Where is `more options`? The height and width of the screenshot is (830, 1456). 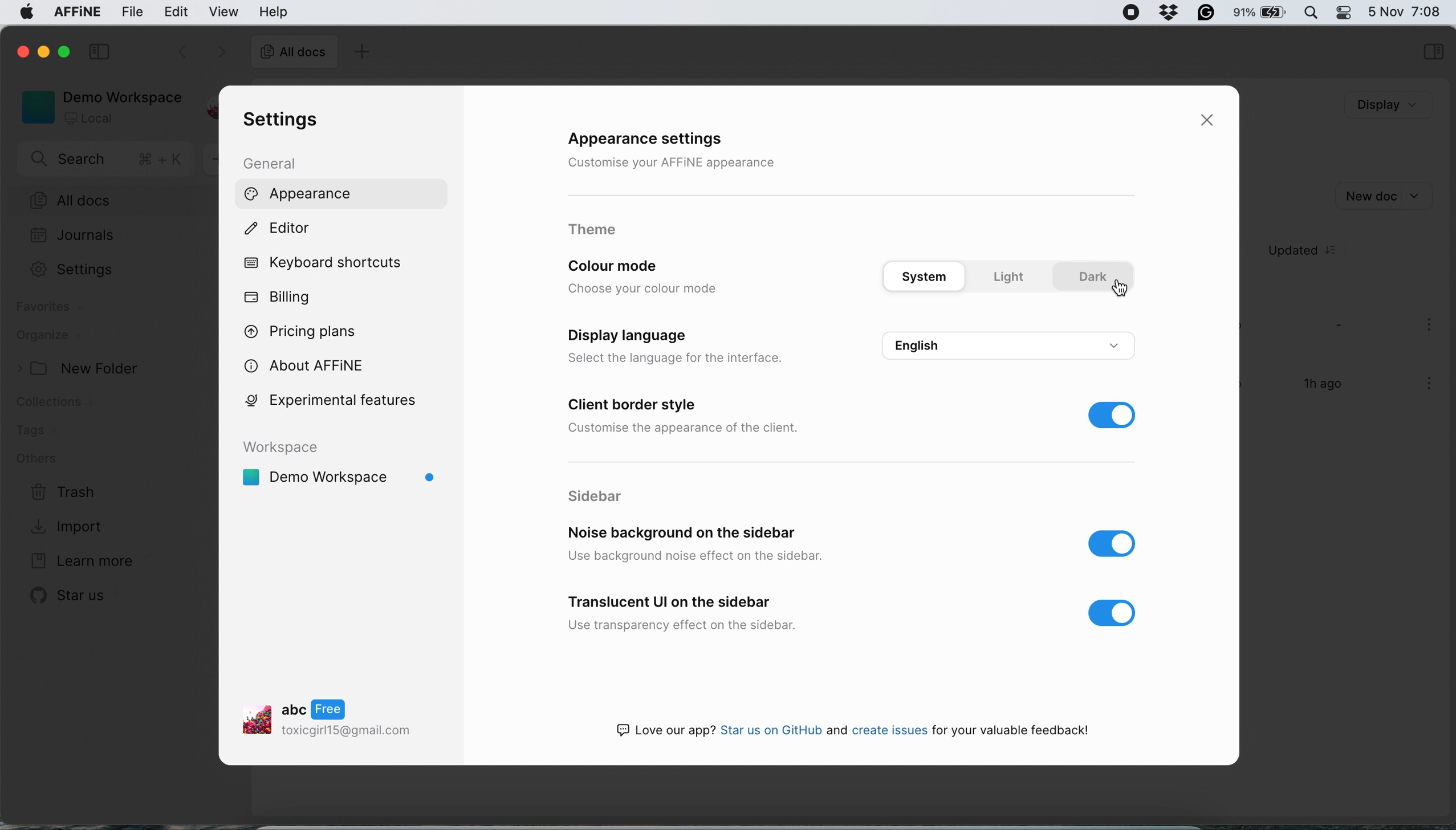 more options is located at coordinates (1430, 328).